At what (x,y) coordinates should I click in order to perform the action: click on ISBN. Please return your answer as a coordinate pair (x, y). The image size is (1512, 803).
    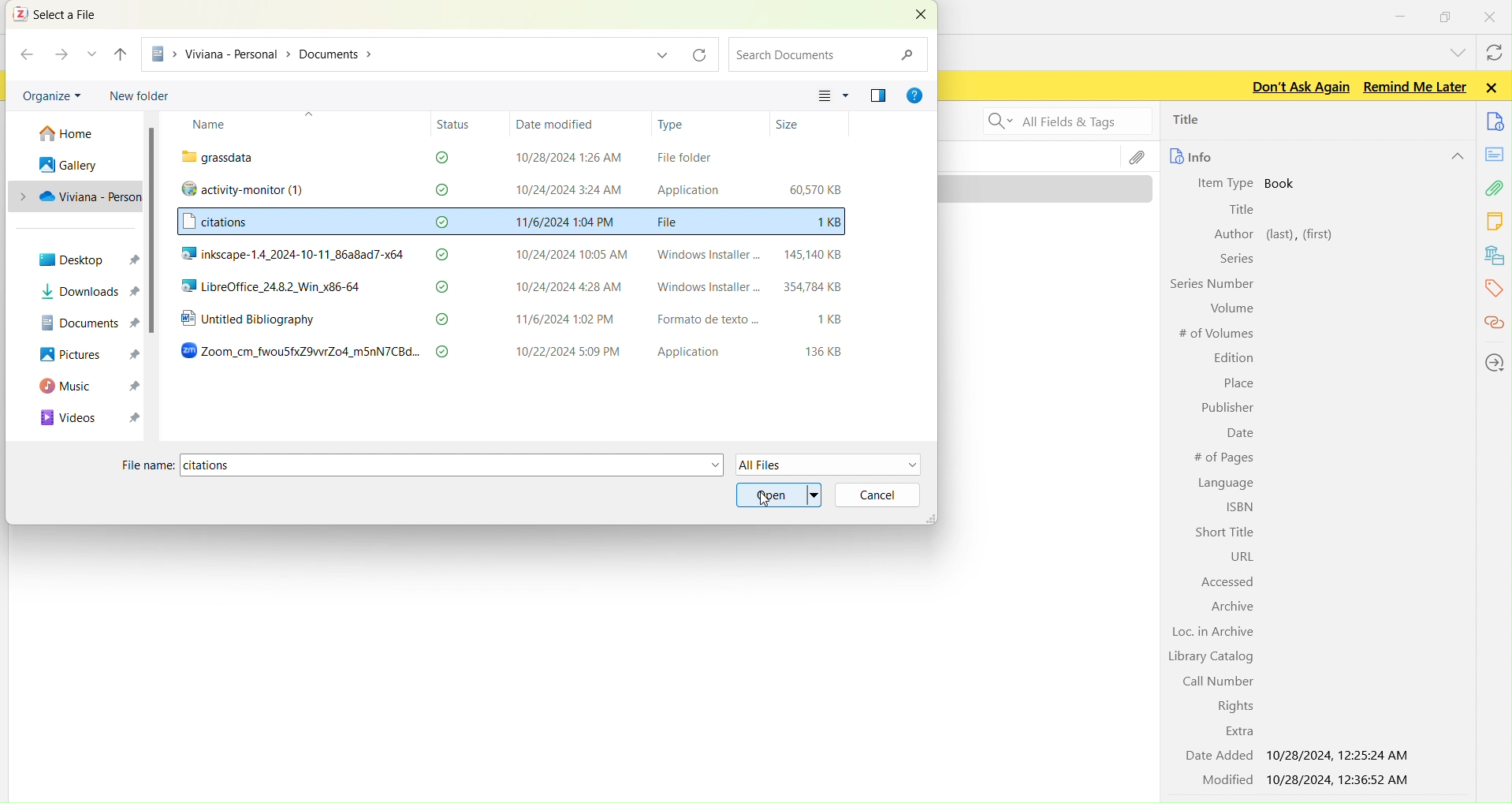
    Looking at the image, I should click on (1236, 506).